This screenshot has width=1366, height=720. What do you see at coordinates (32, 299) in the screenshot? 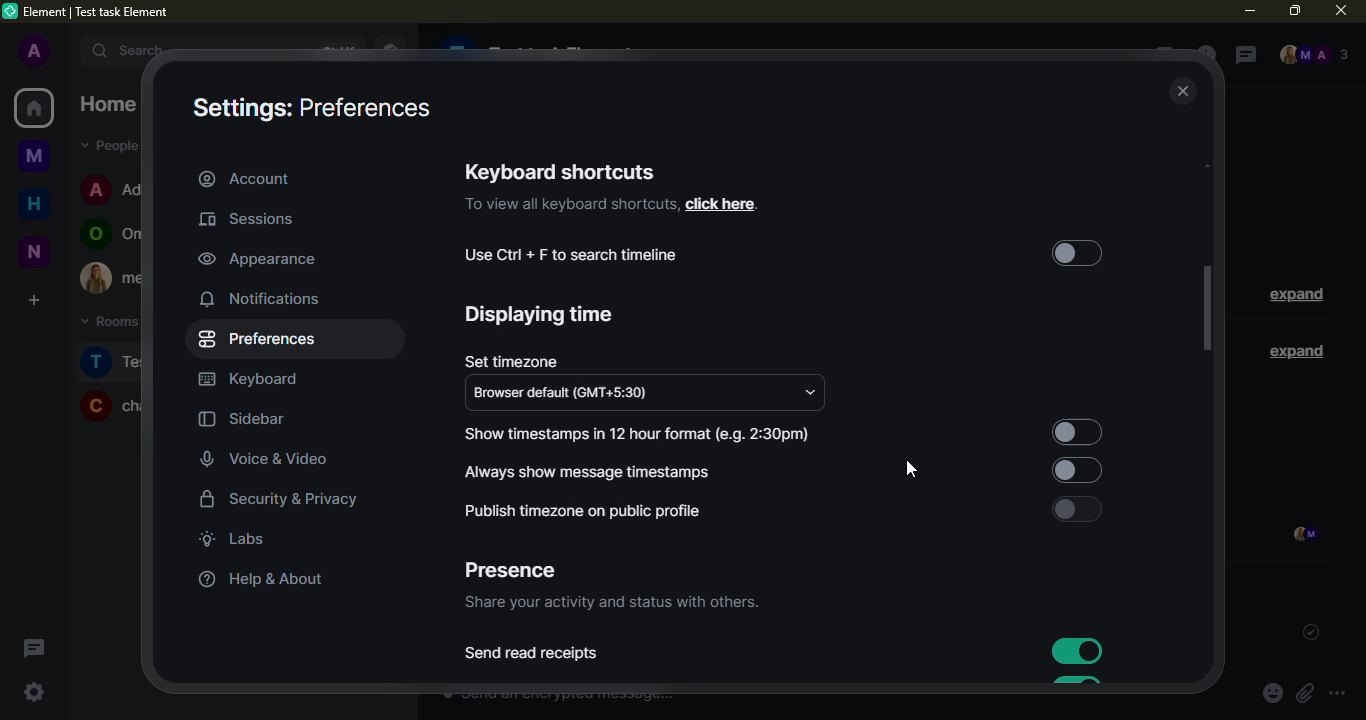
I see `create a space` at bounding box center [32, 299].